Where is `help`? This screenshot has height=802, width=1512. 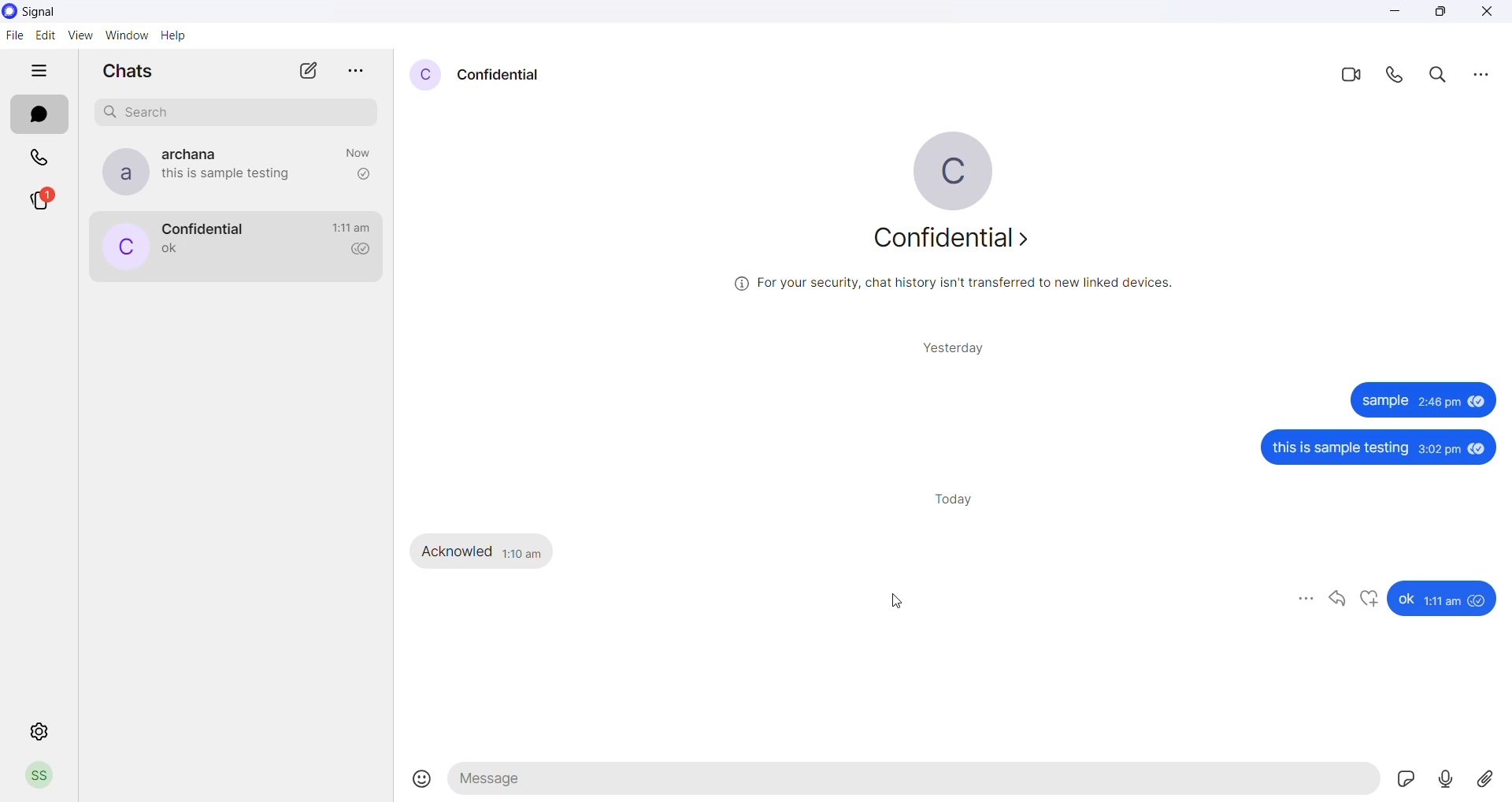
help is located at coordinates (177, 37).